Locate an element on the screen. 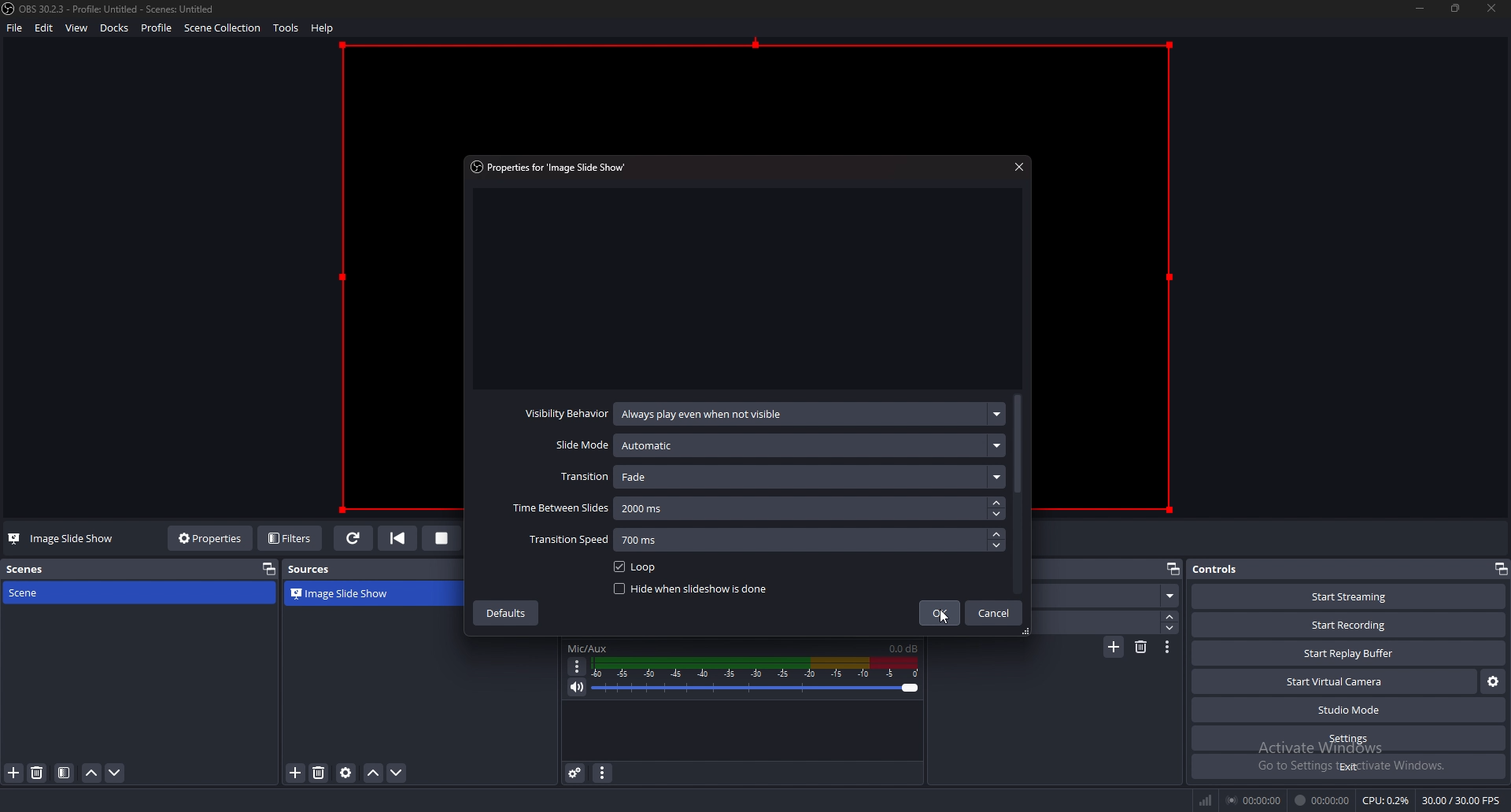 The height and width of the screenshot is (812, 1511). mute is located at coordinates (578, 686).